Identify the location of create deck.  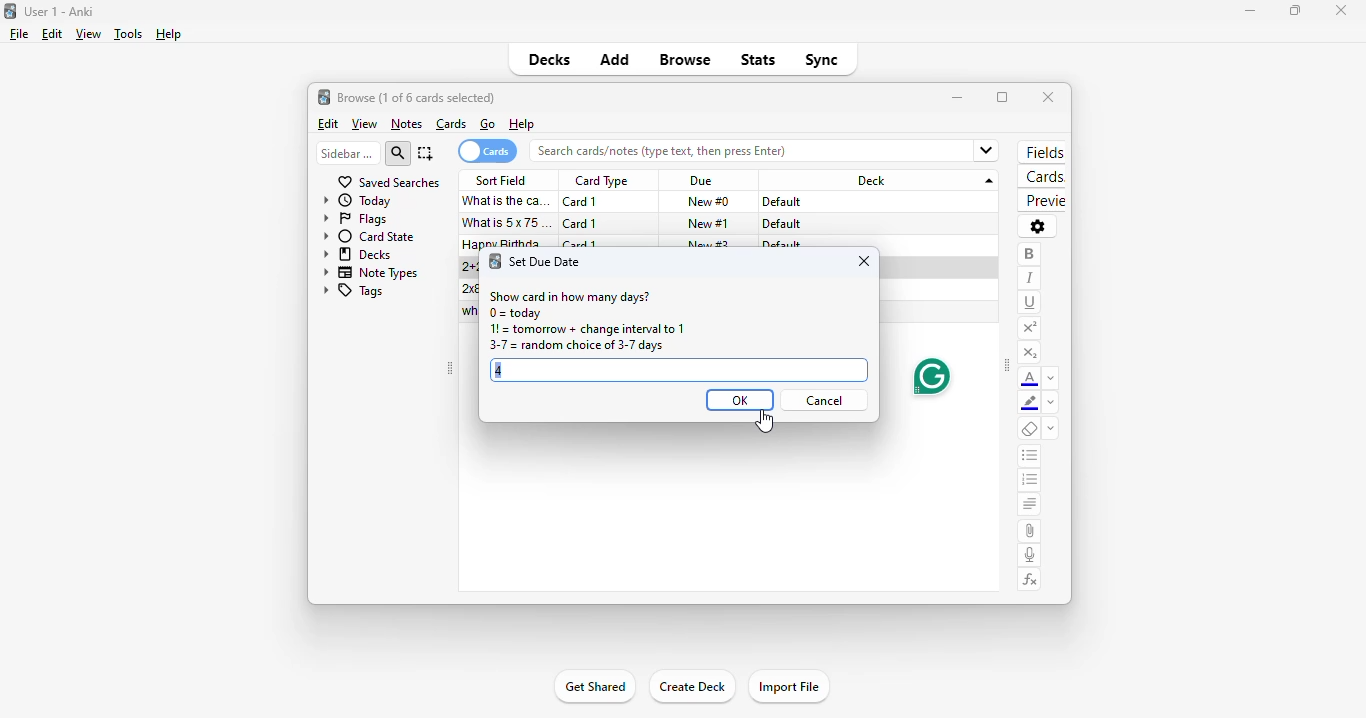
(692, 687).